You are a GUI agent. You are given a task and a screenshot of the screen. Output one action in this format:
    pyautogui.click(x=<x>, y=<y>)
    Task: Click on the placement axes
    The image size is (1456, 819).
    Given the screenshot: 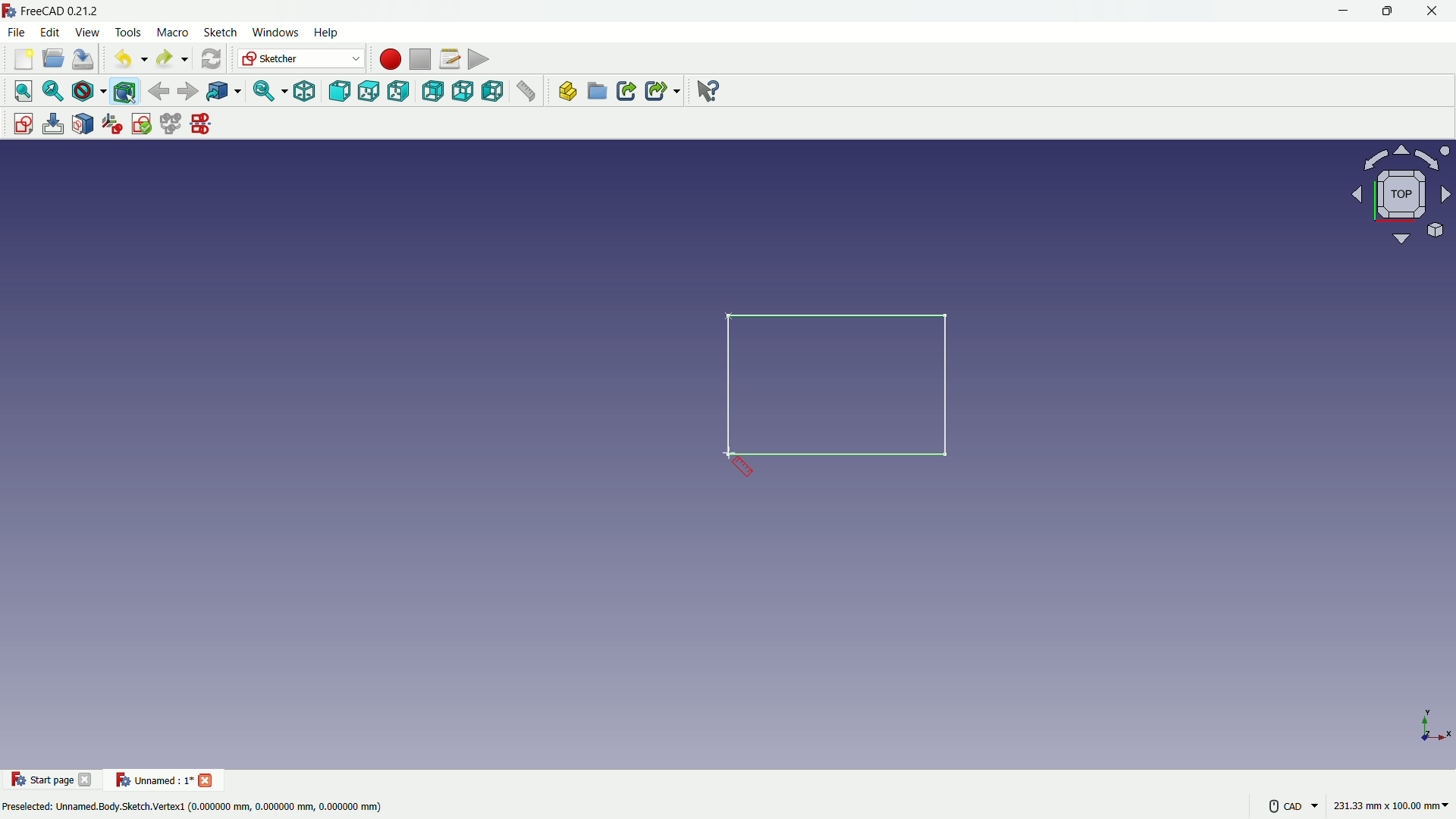 What is the action you would take?
    pyautogui.click(x=1433, y=725)
    